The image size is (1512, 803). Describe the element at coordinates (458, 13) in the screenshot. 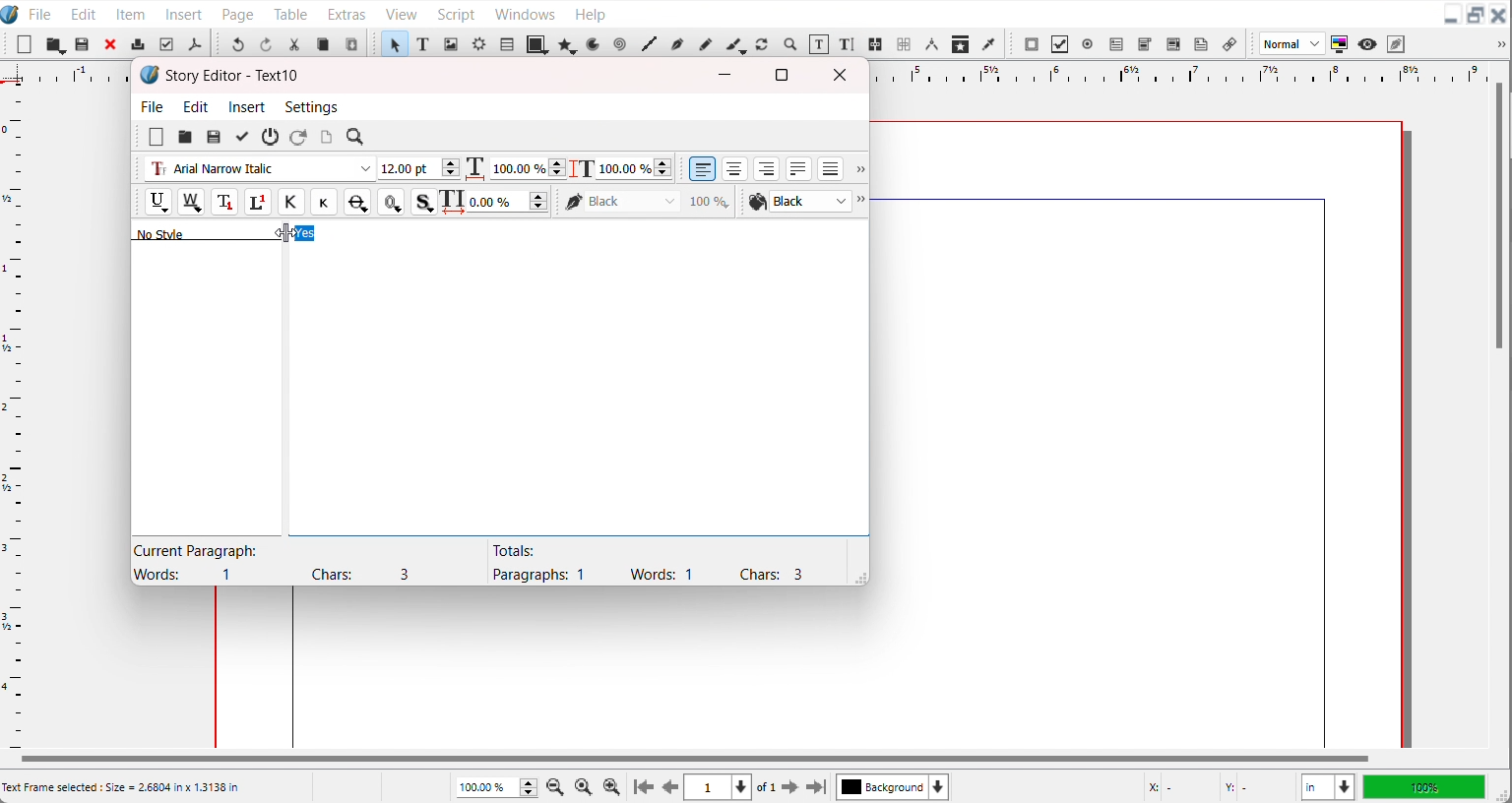

I see `Script` at that location.